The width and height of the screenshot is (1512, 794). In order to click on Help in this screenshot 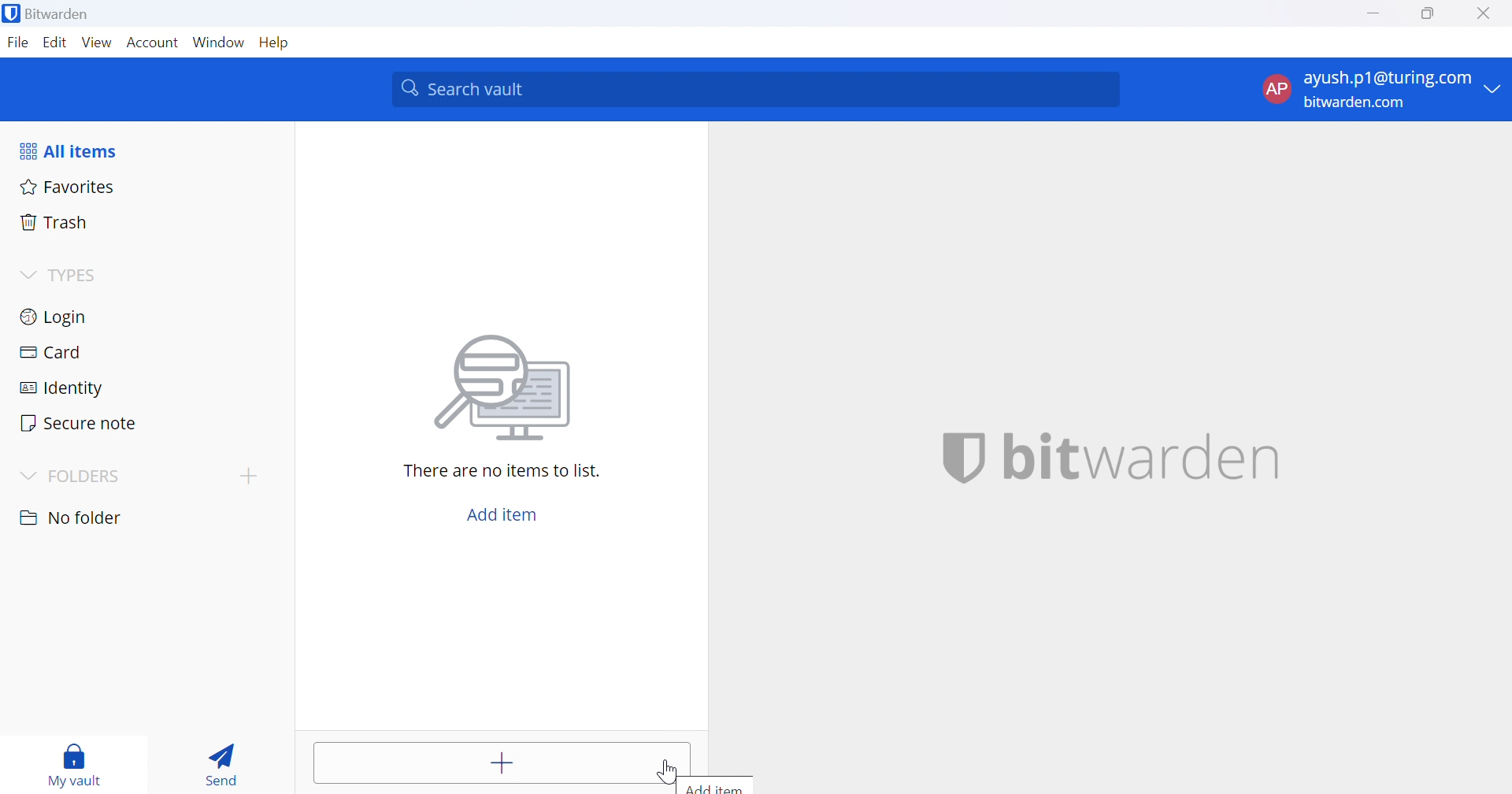, I will do `click(275, 44)`.